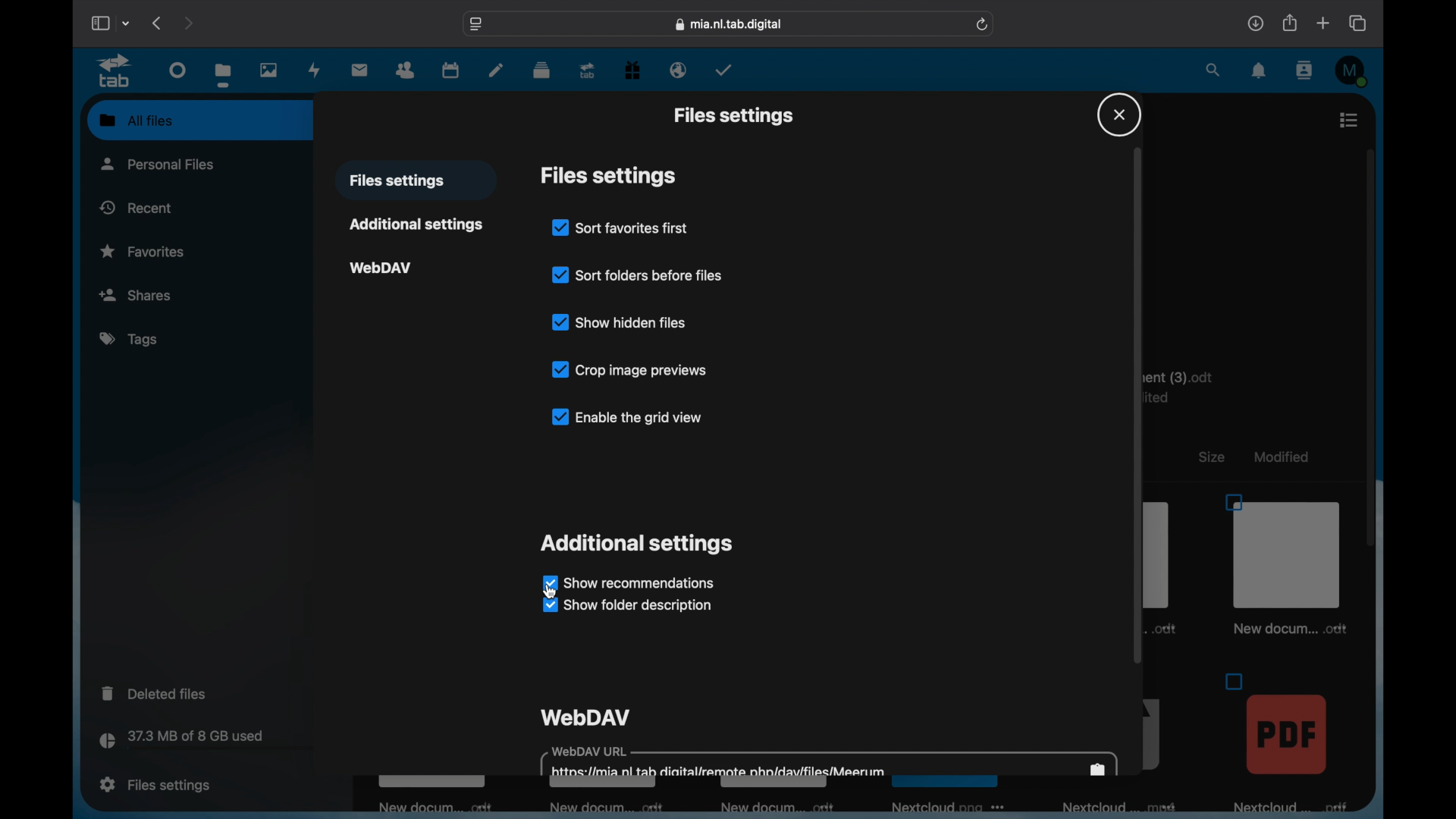  I want to click on email, so click(679, 70).